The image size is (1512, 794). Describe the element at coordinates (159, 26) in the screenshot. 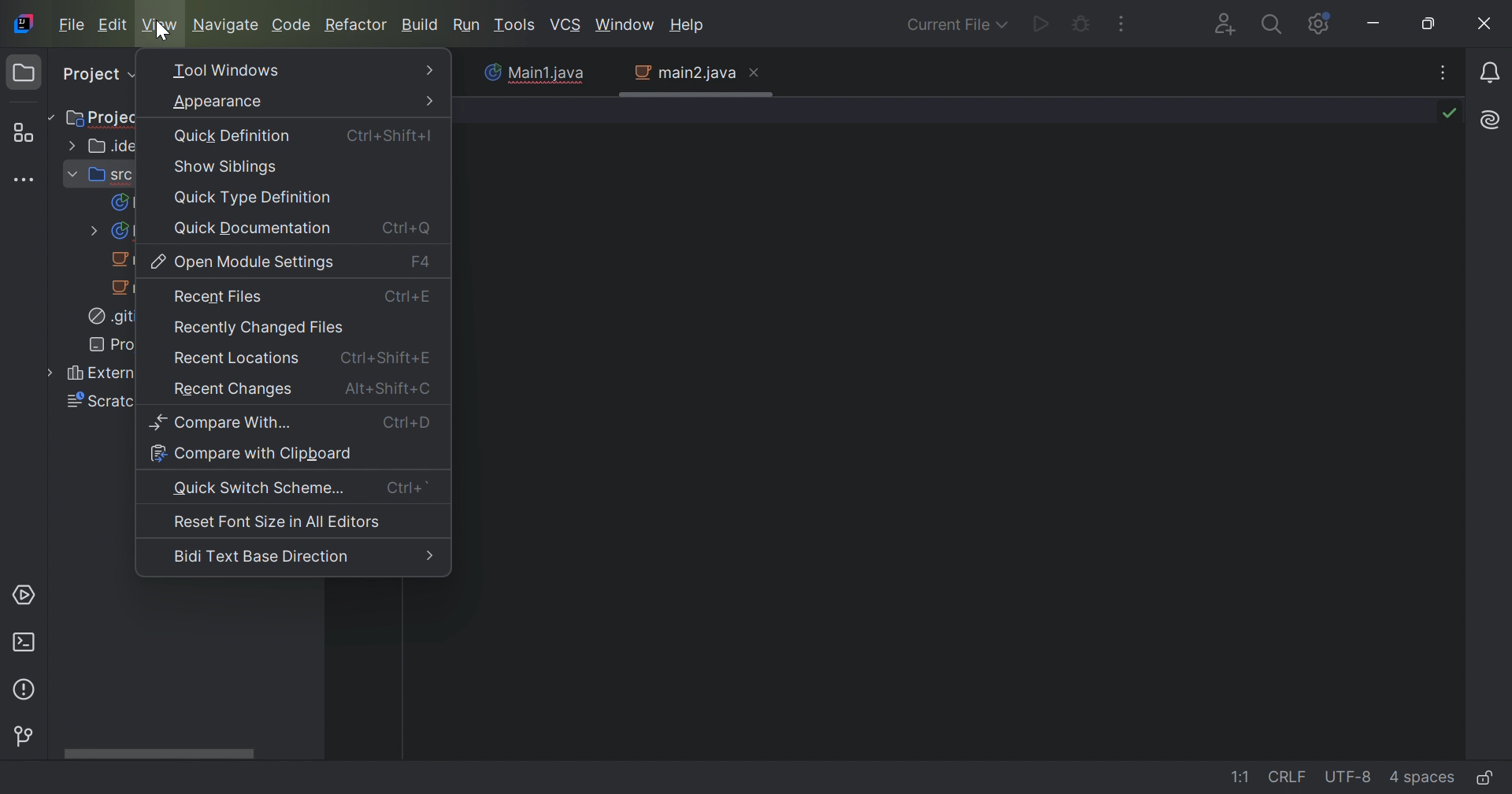

I see `View` at that location.